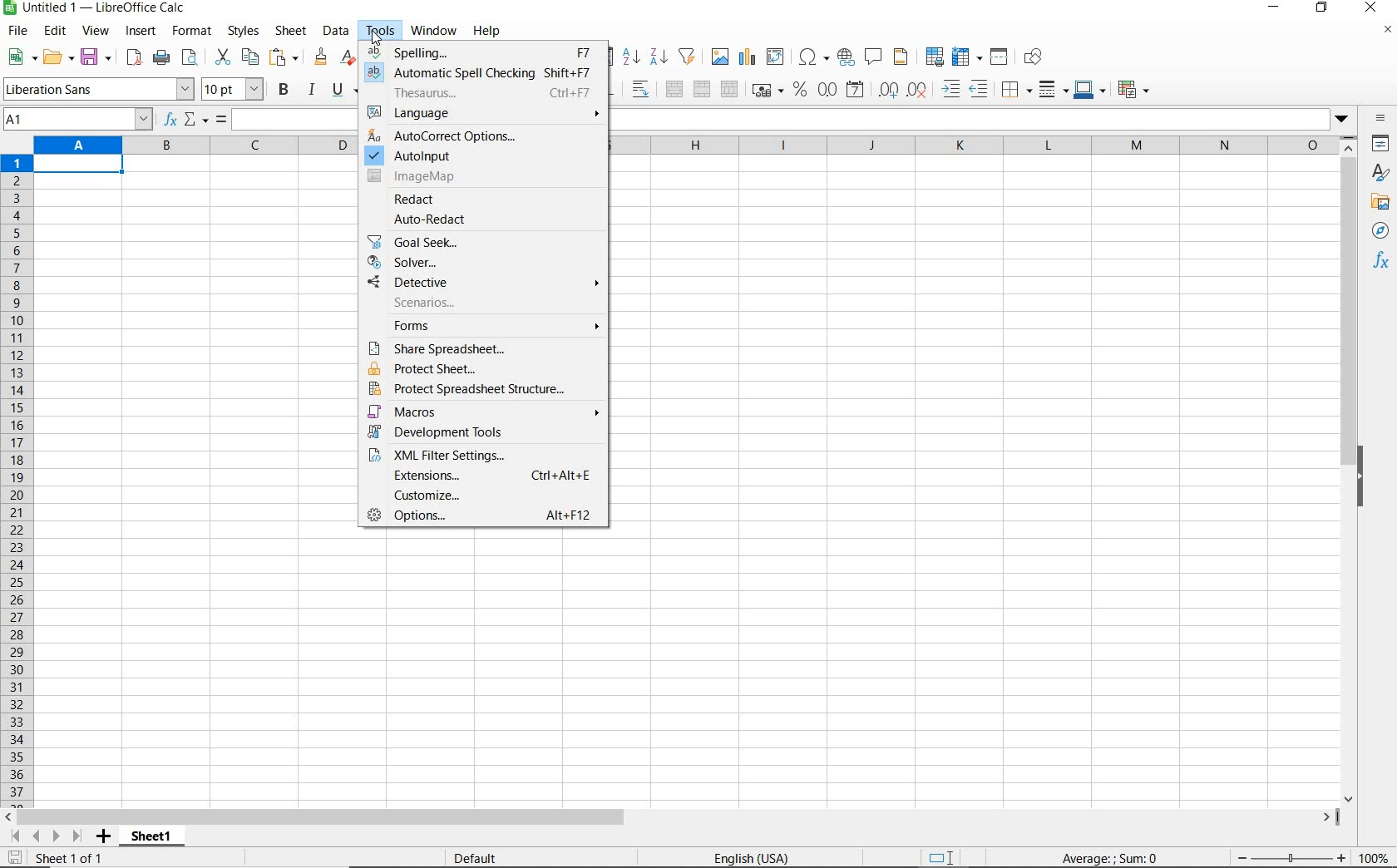 The width and height of the screenshot is (1397, 868). I want to click on selected cell, so click(81, 163).